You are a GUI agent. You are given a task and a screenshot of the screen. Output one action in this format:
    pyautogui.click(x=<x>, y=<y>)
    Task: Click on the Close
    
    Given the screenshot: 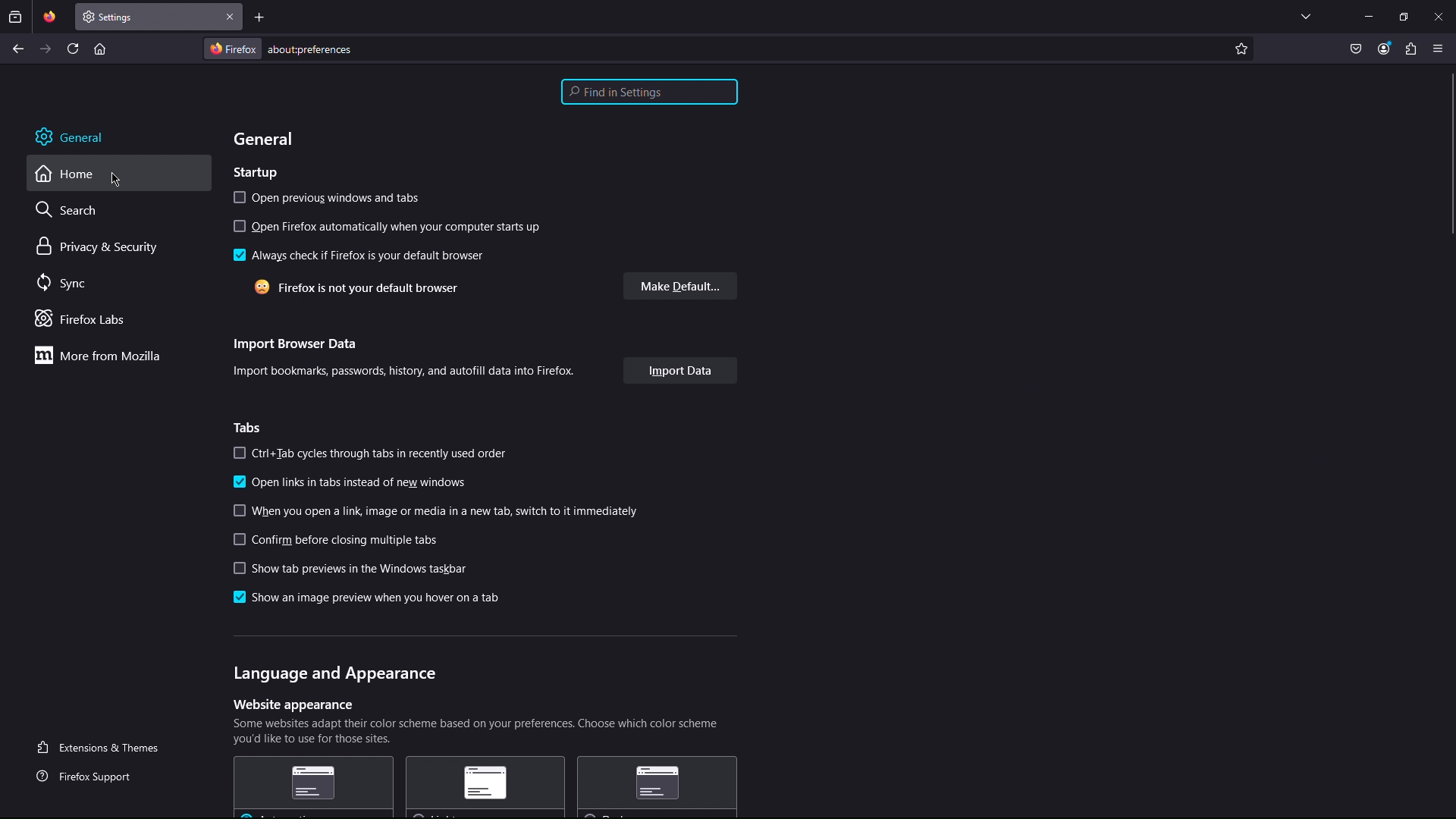 What is the action you would take?
    pyautogui.click(x=1438, y=16)
    